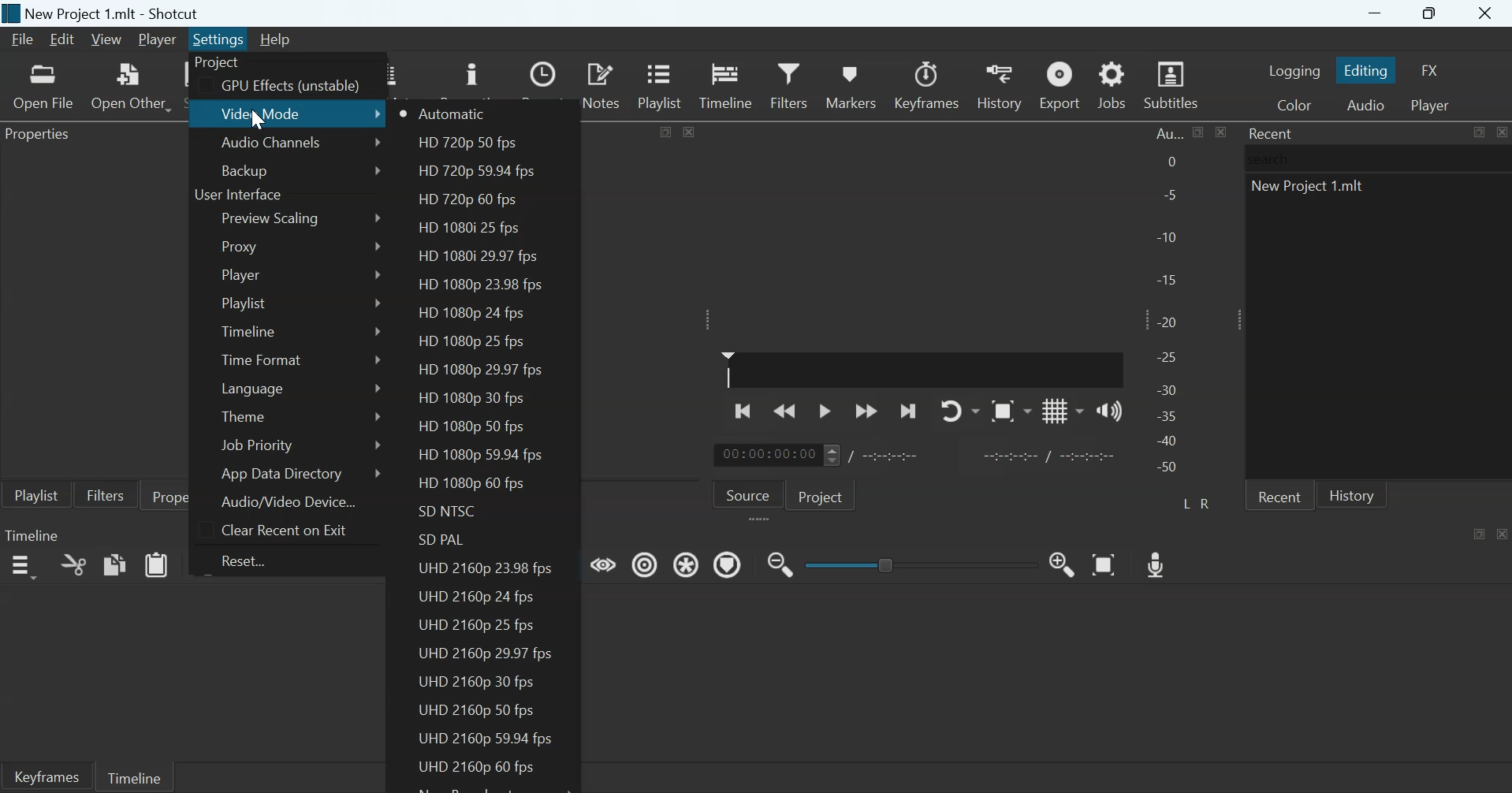 Image resolution: width=1512 pixels, height=793 pixels. Describe the element at coordinates (46, 776) in the screenshot. I see `Keyframes` at that location.